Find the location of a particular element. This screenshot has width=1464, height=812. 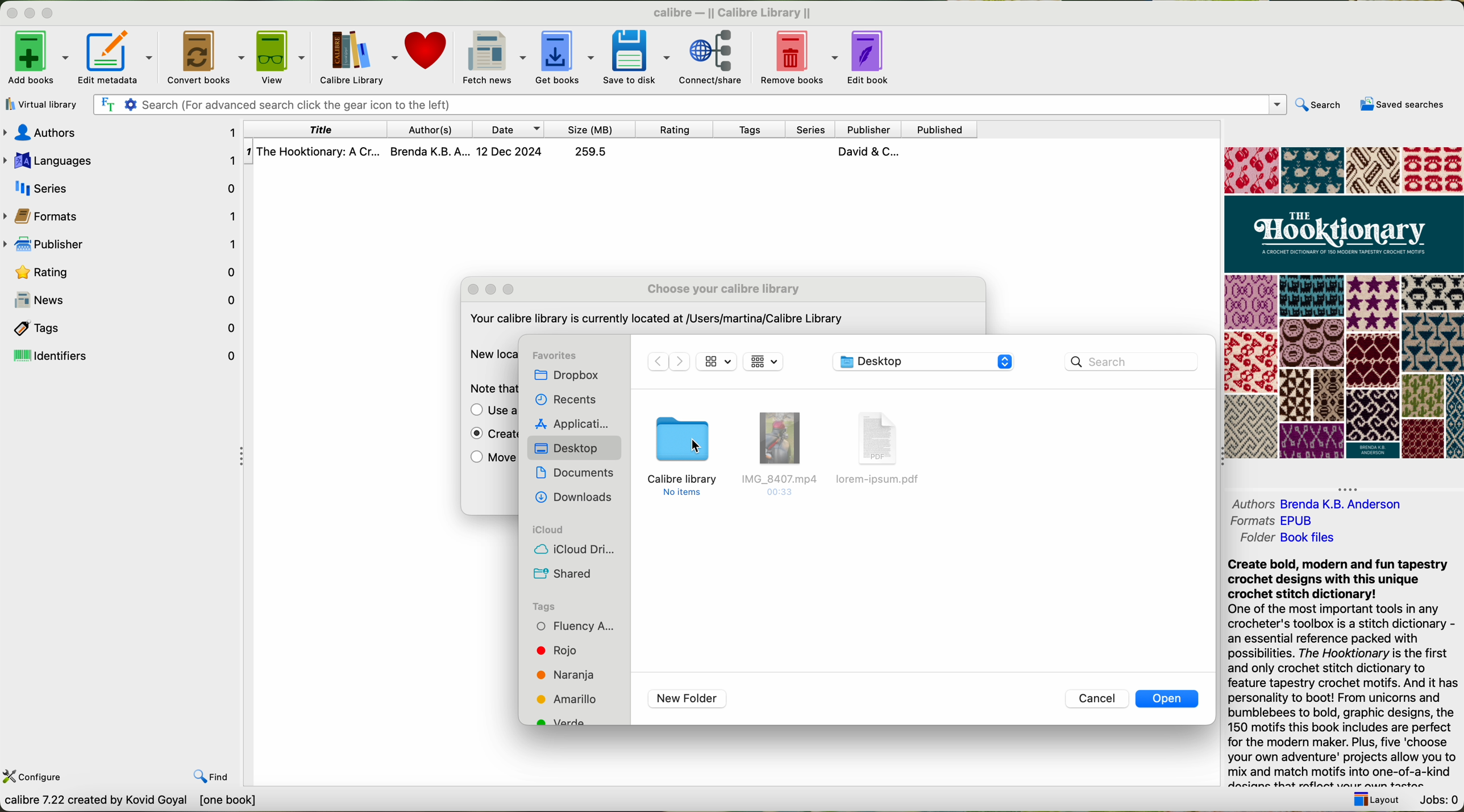

title is located at coordinates (315, 129).